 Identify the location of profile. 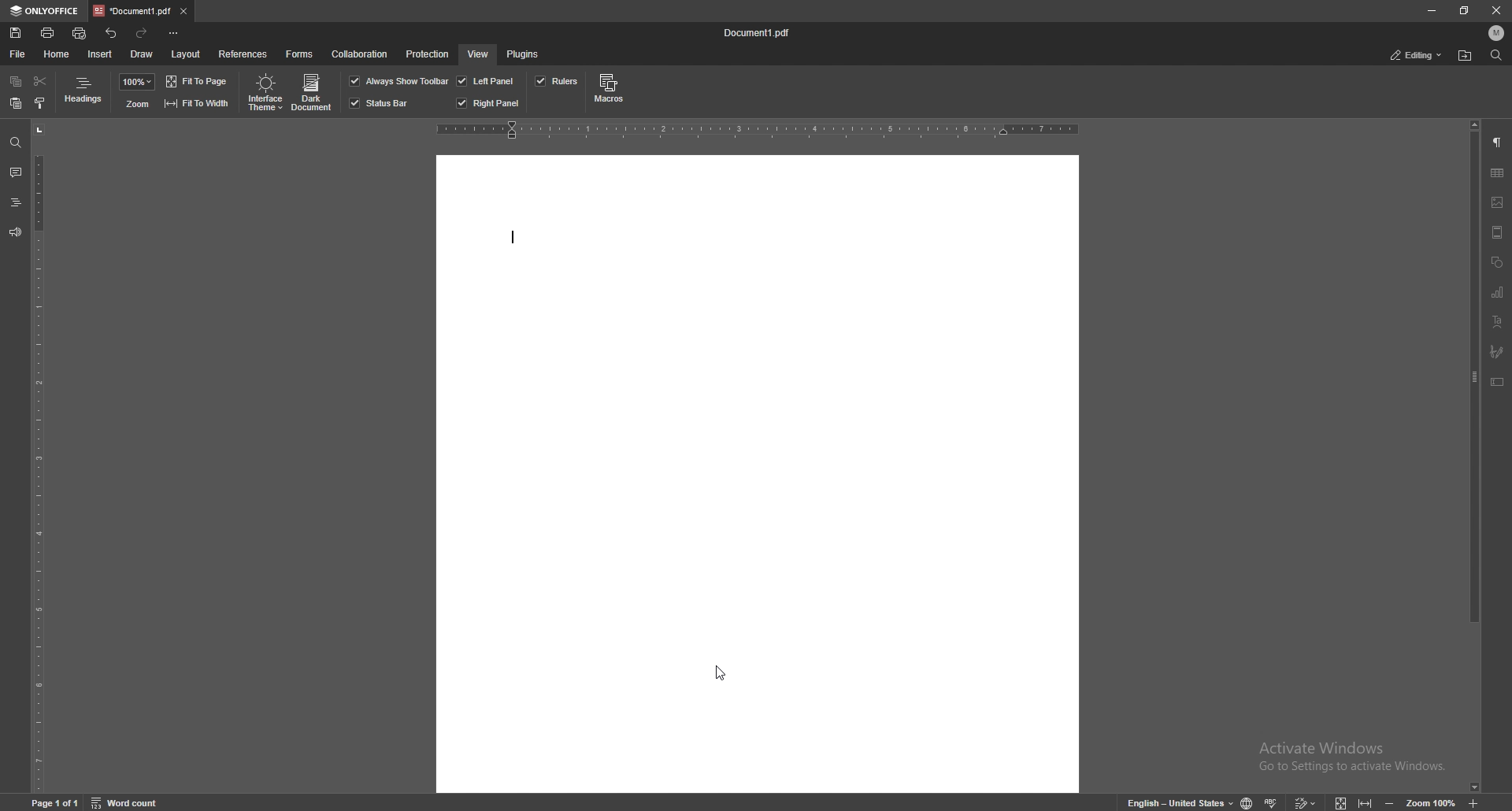
(1497, 33).